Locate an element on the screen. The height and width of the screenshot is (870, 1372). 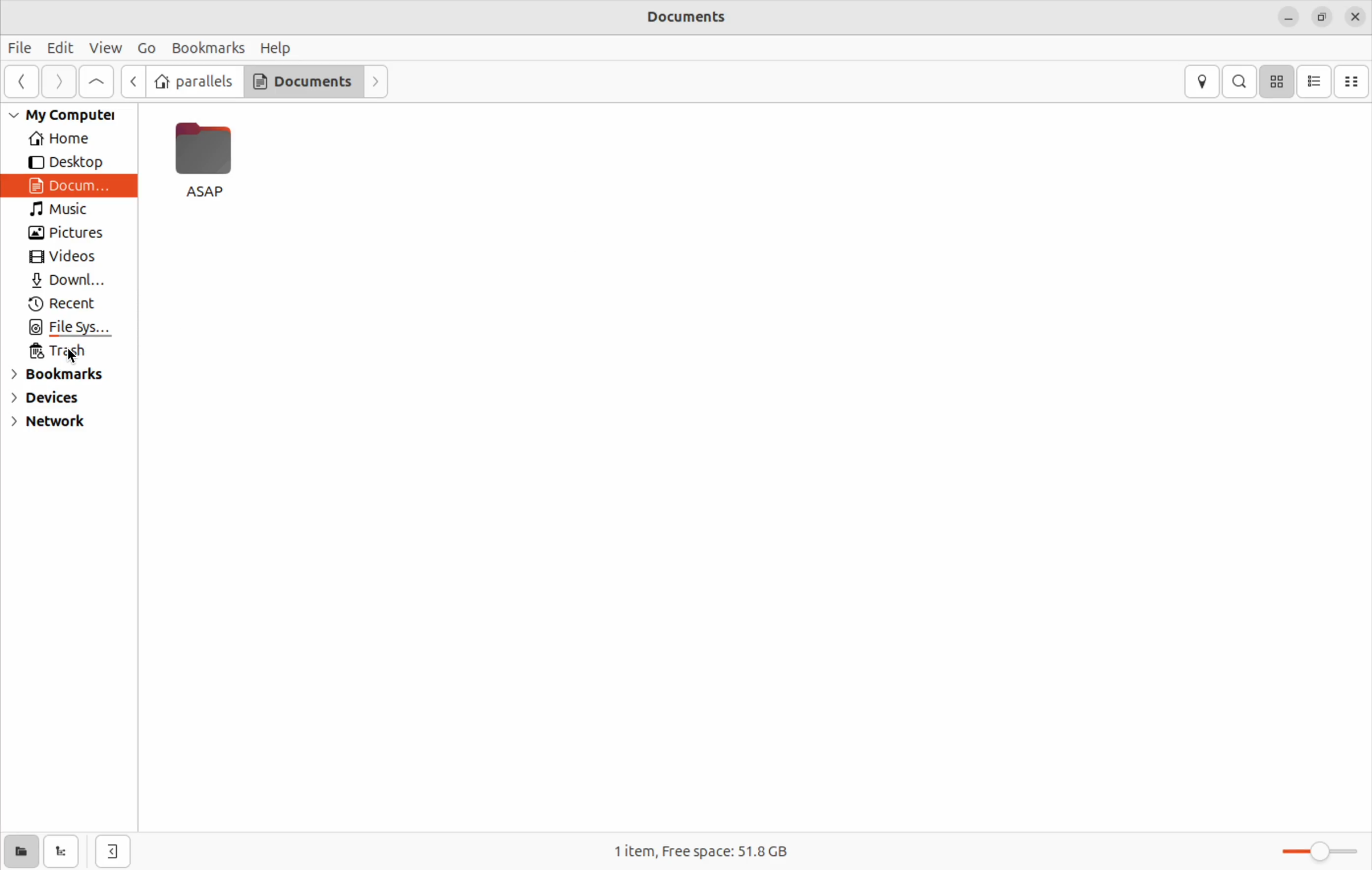
videos is located at coordinates (64, 258).